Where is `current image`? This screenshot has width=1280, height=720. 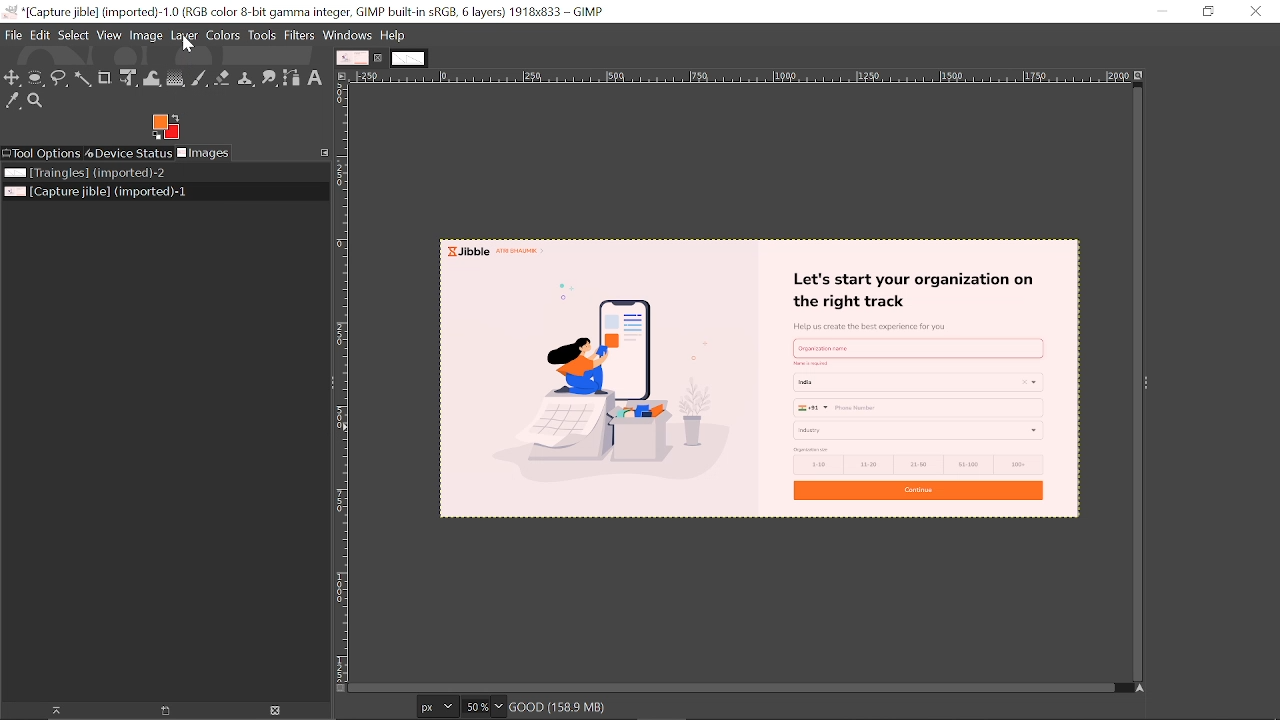 current image is located at coordinates (761, 381).